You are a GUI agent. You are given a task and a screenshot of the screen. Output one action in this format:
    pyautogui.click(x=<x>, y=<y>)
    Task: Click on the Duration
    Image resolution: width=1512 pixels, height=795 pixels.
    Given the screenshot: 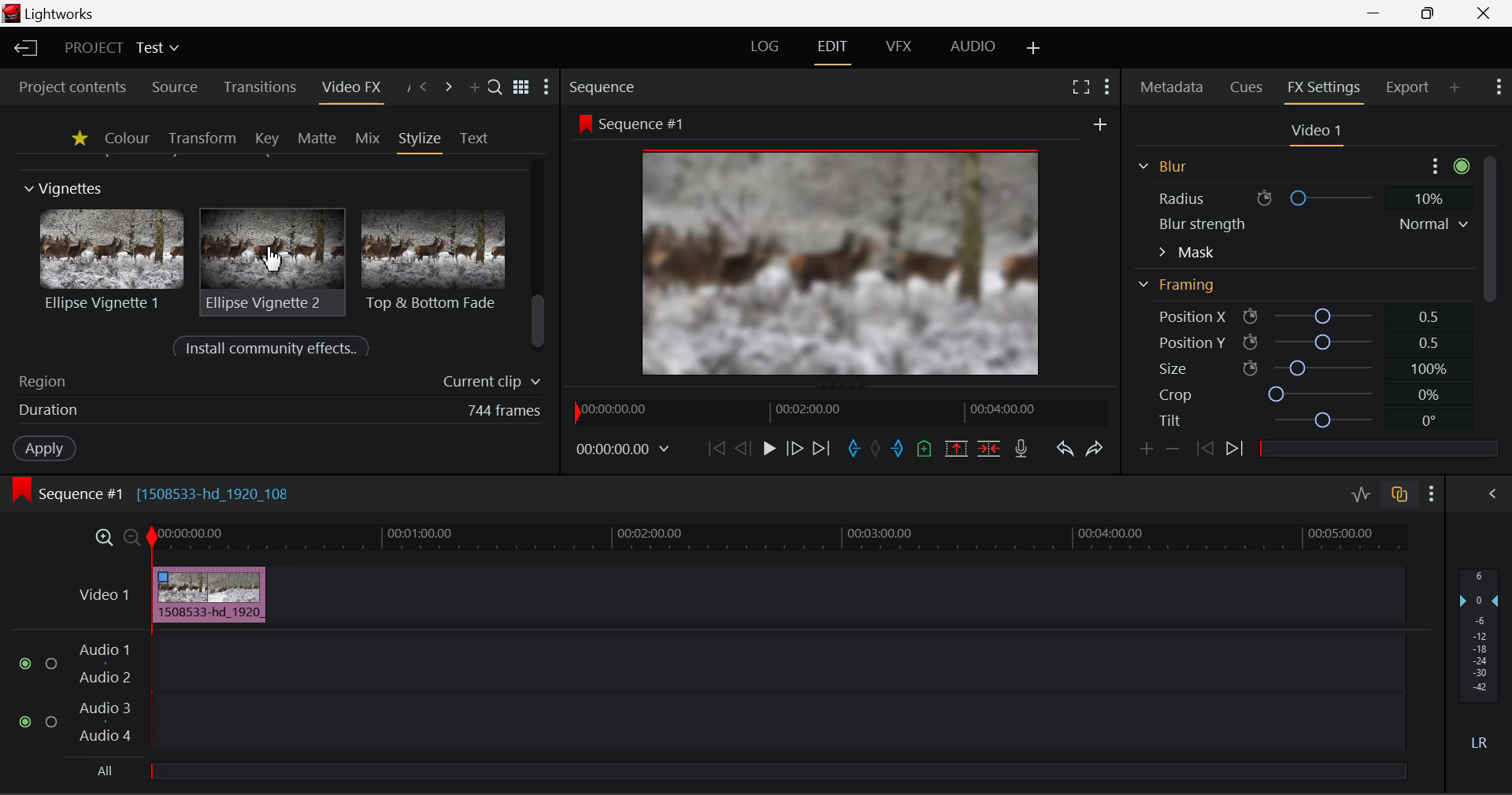 What is the action you would take?
    pyautogui.click(x=276, y=412)
    